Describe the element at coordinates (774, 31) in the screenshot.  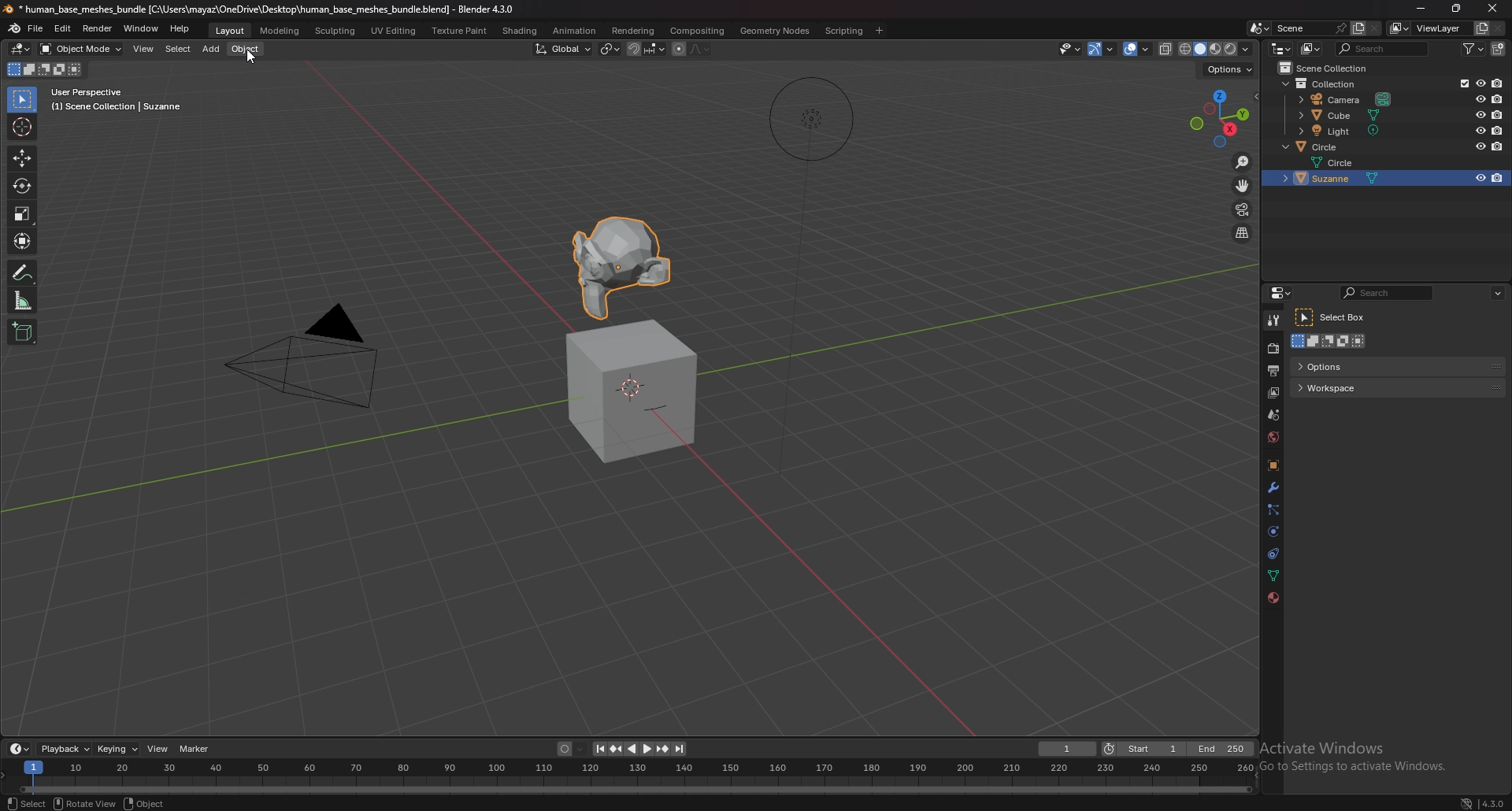
I see `geomtry nodes` at that location.